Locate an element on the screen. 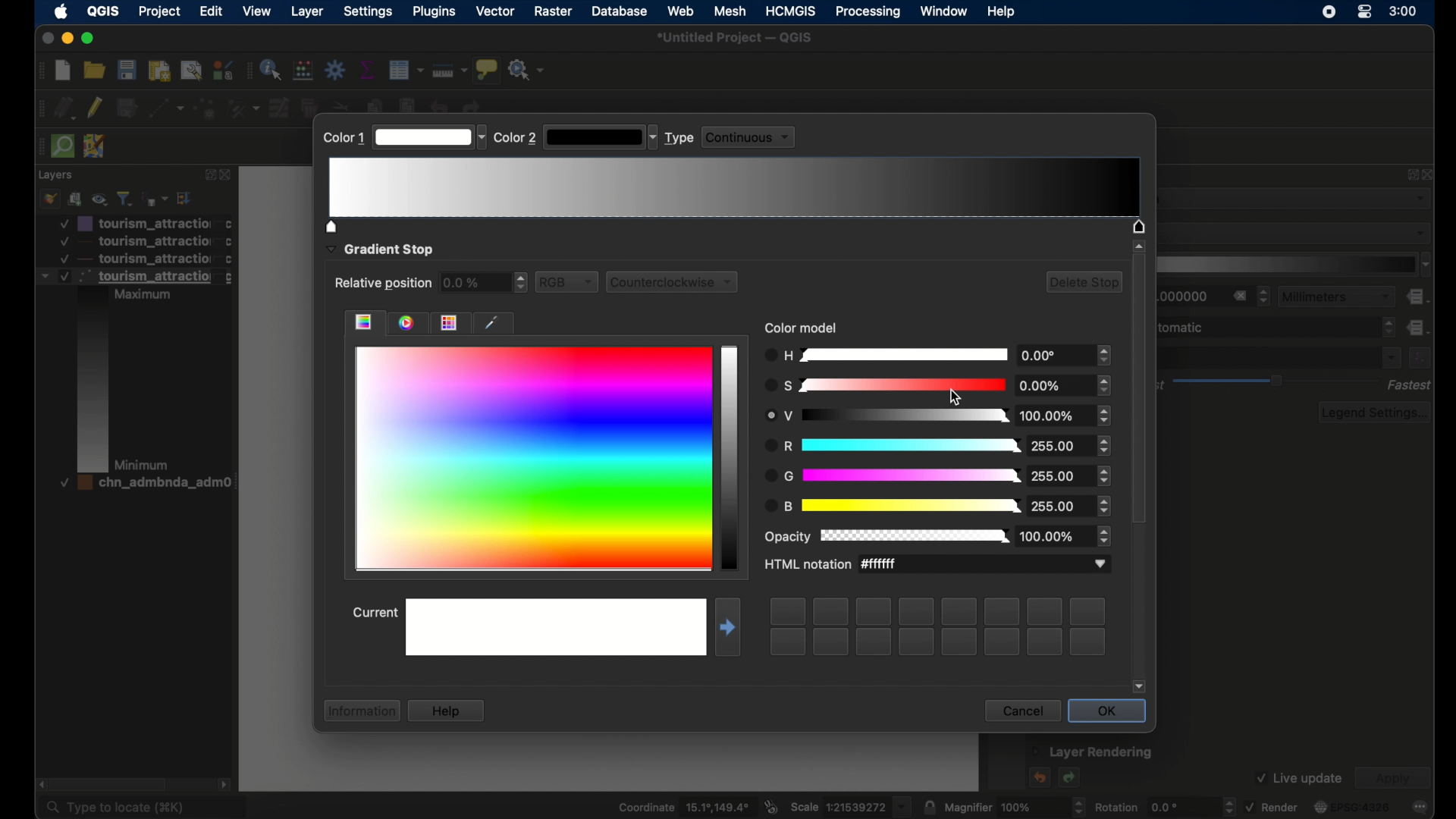 The width and height of the screenshot is (1456, 819). control center is located at coordinates (1364, 11).